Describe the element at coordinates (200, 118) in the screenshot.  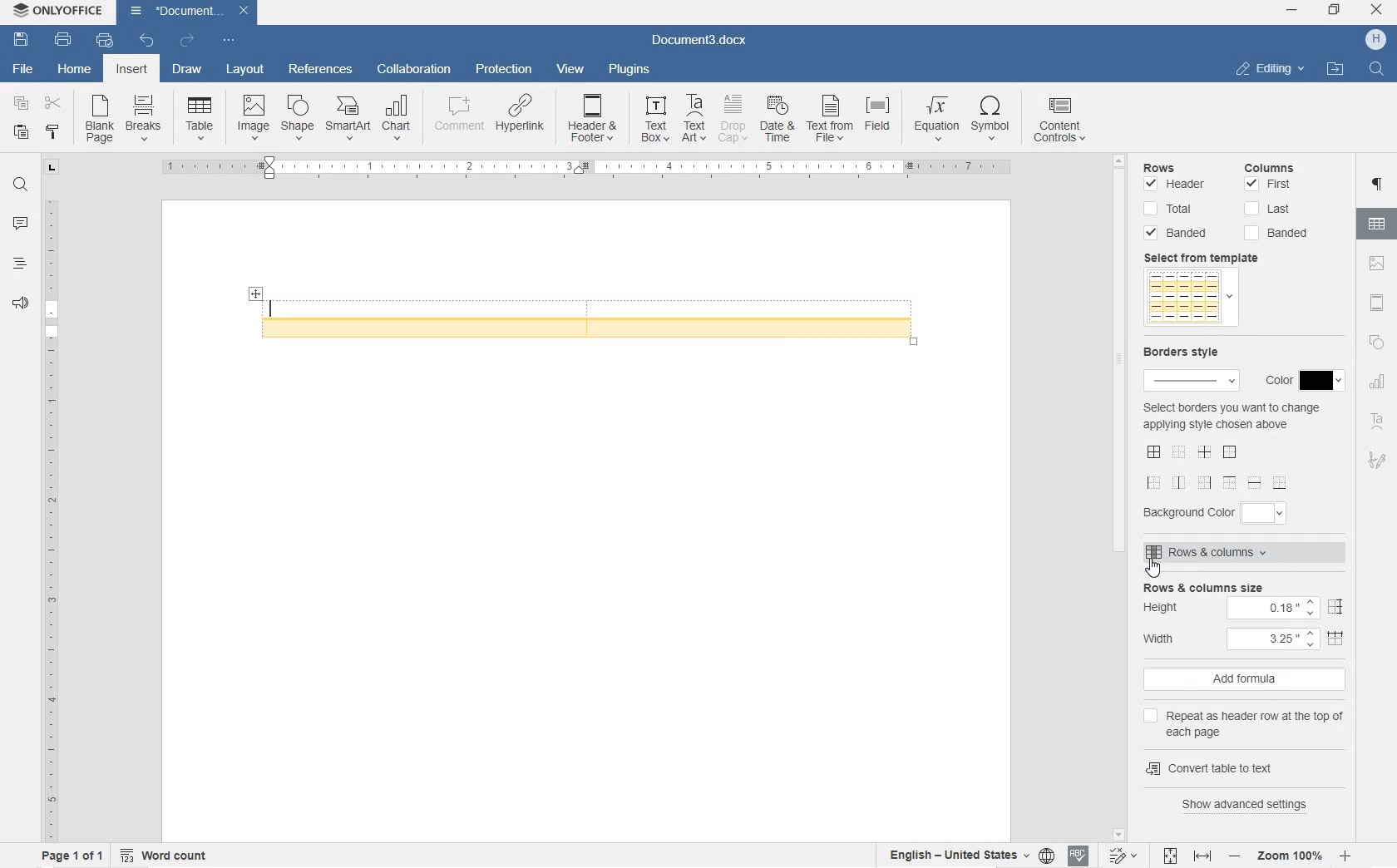
I see `insert table` at that location.